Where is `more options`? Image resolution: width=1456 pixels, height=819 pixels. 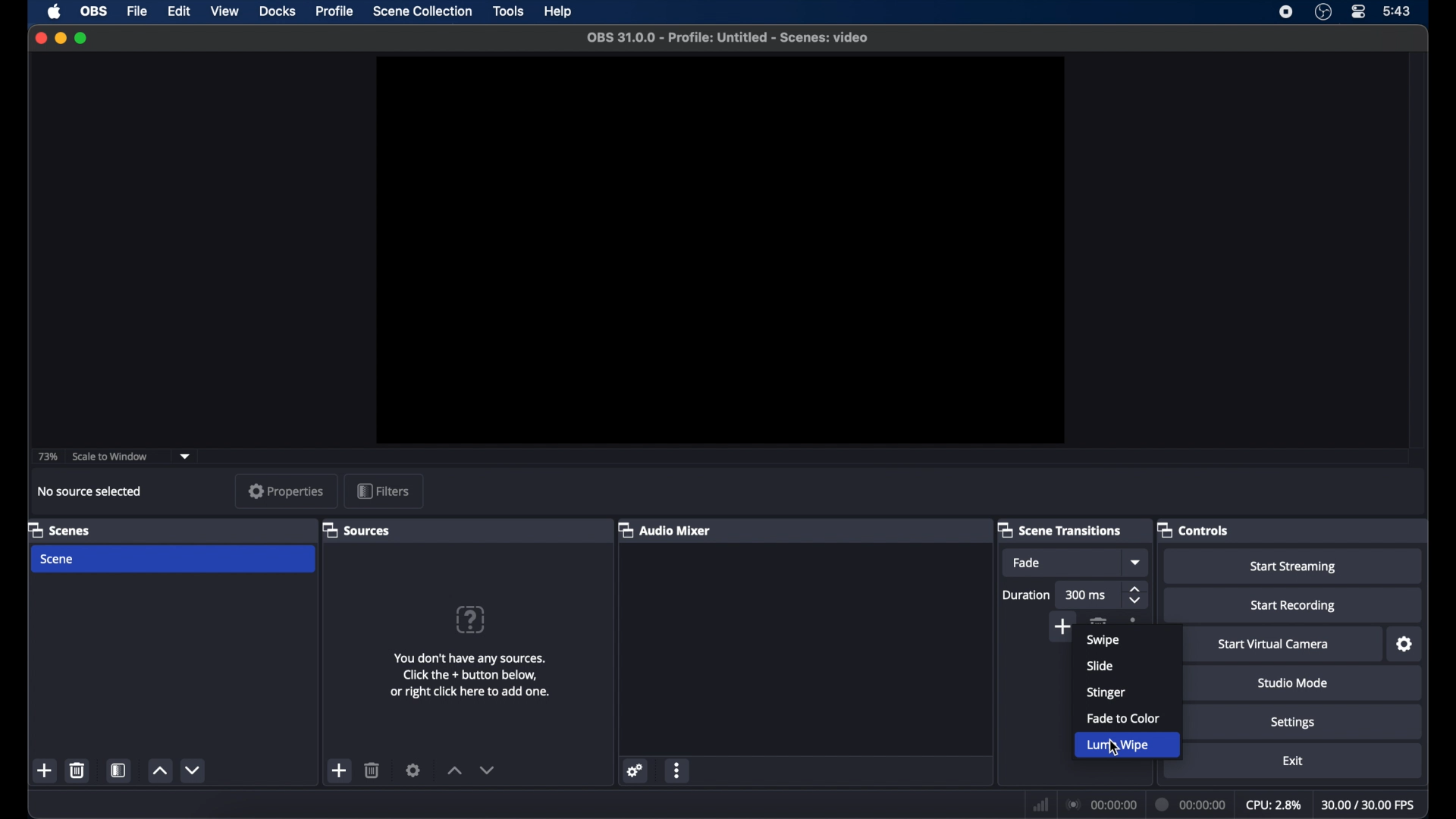 more options is located at coordinates (1134, 618).